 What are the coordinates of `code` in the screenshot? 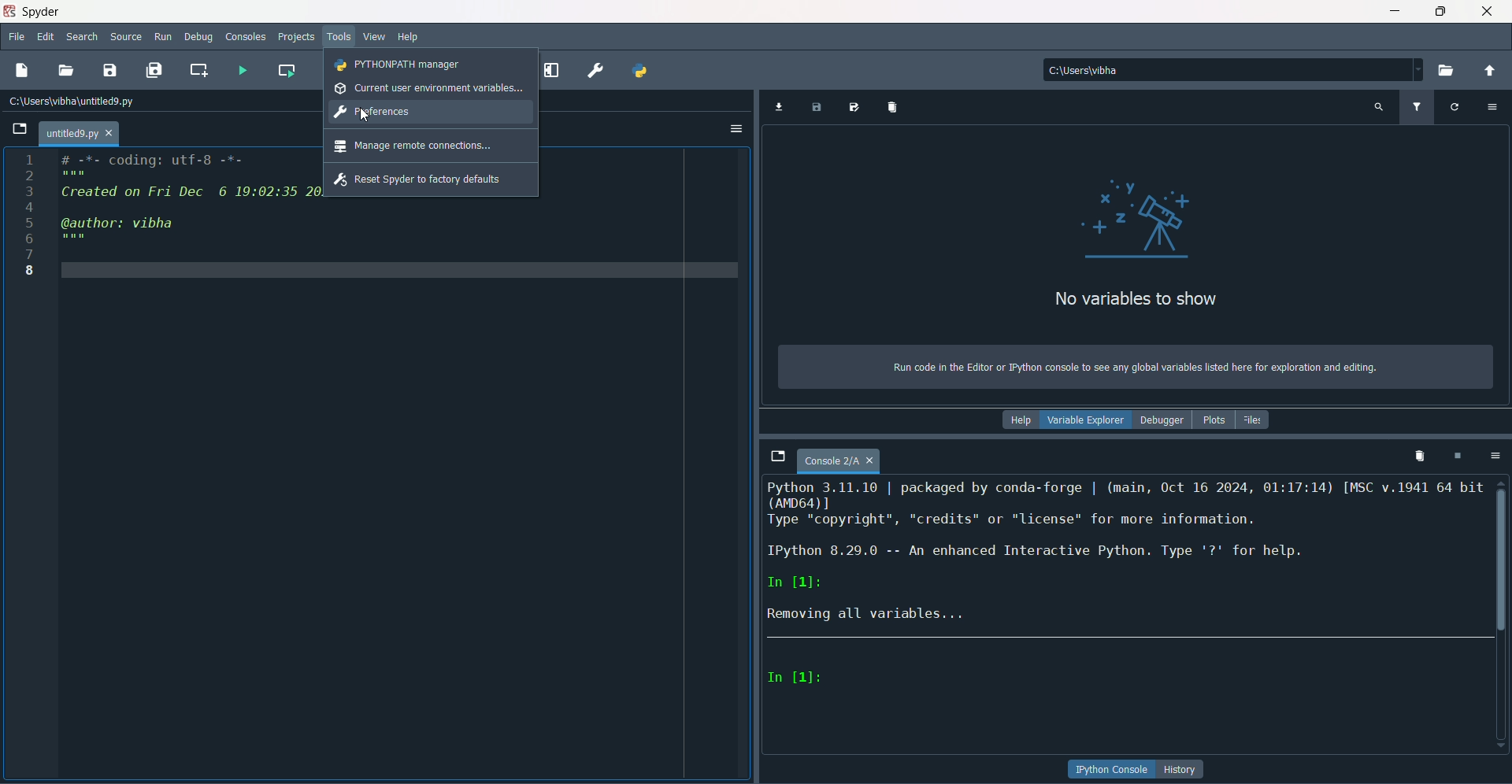 It's located at (187, 202).